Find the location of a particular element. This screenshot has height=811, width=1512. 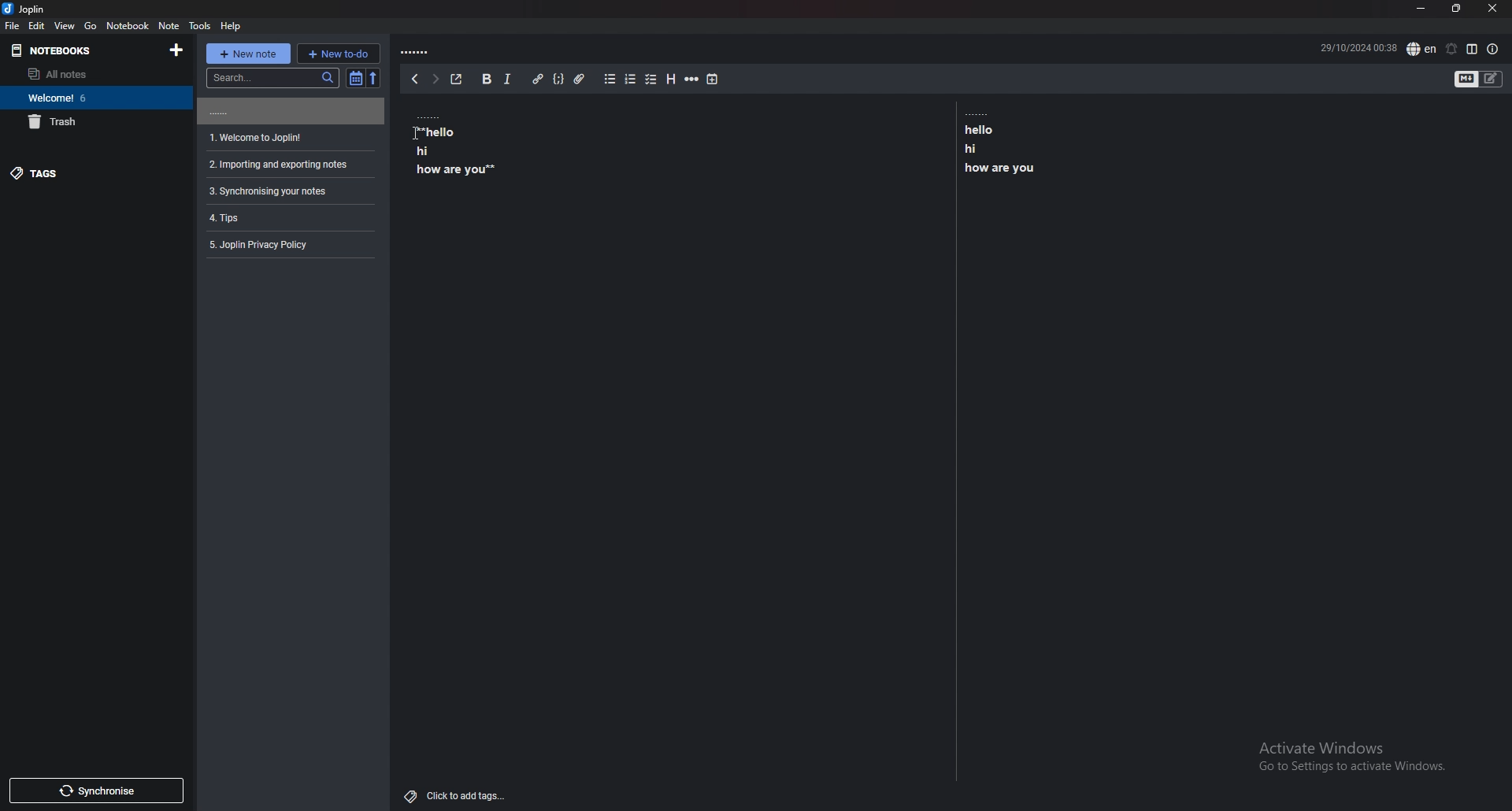

note is located at coordinates (170, 26).